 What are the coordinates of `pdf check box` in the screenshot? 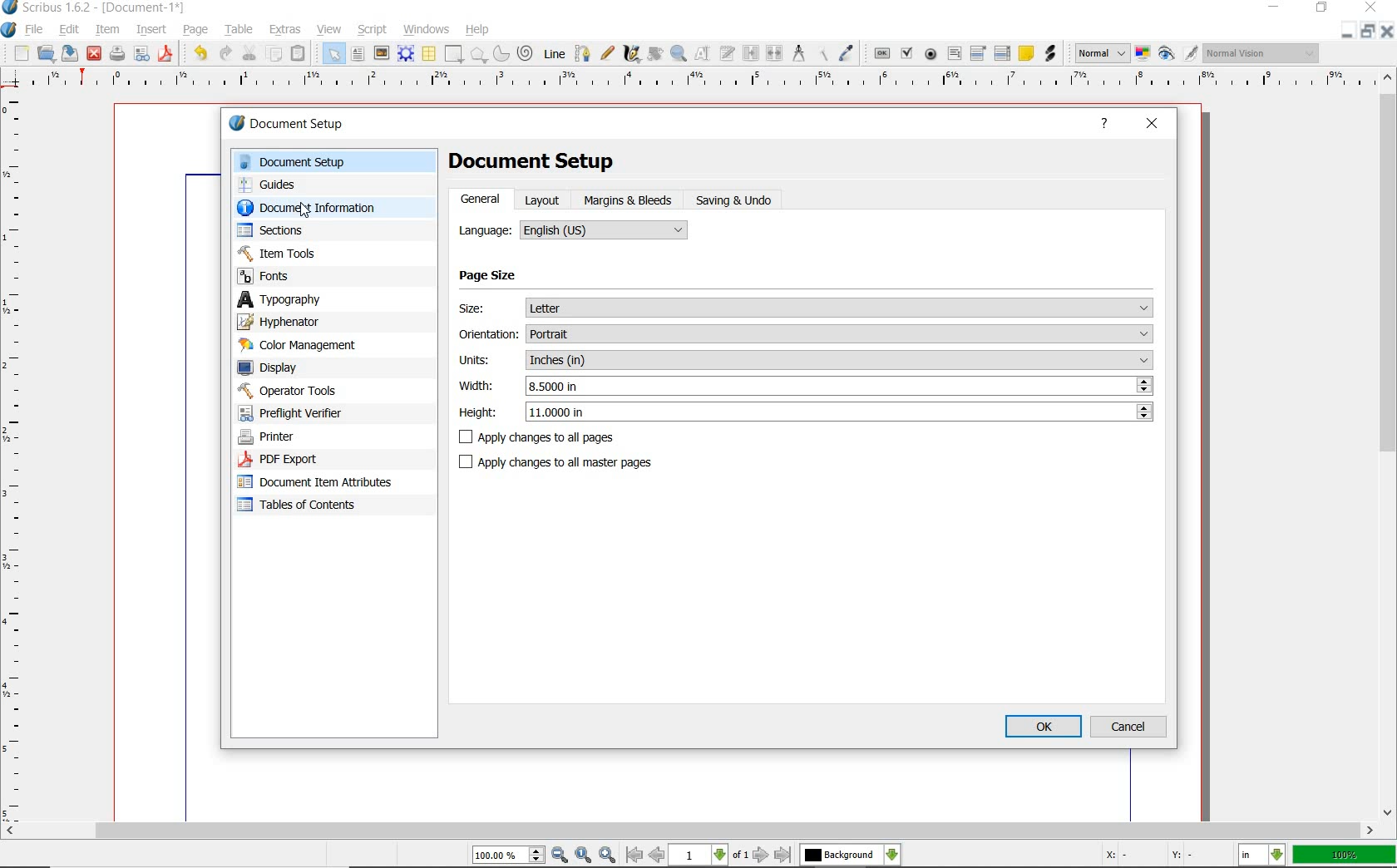 It's located at (908, 52).